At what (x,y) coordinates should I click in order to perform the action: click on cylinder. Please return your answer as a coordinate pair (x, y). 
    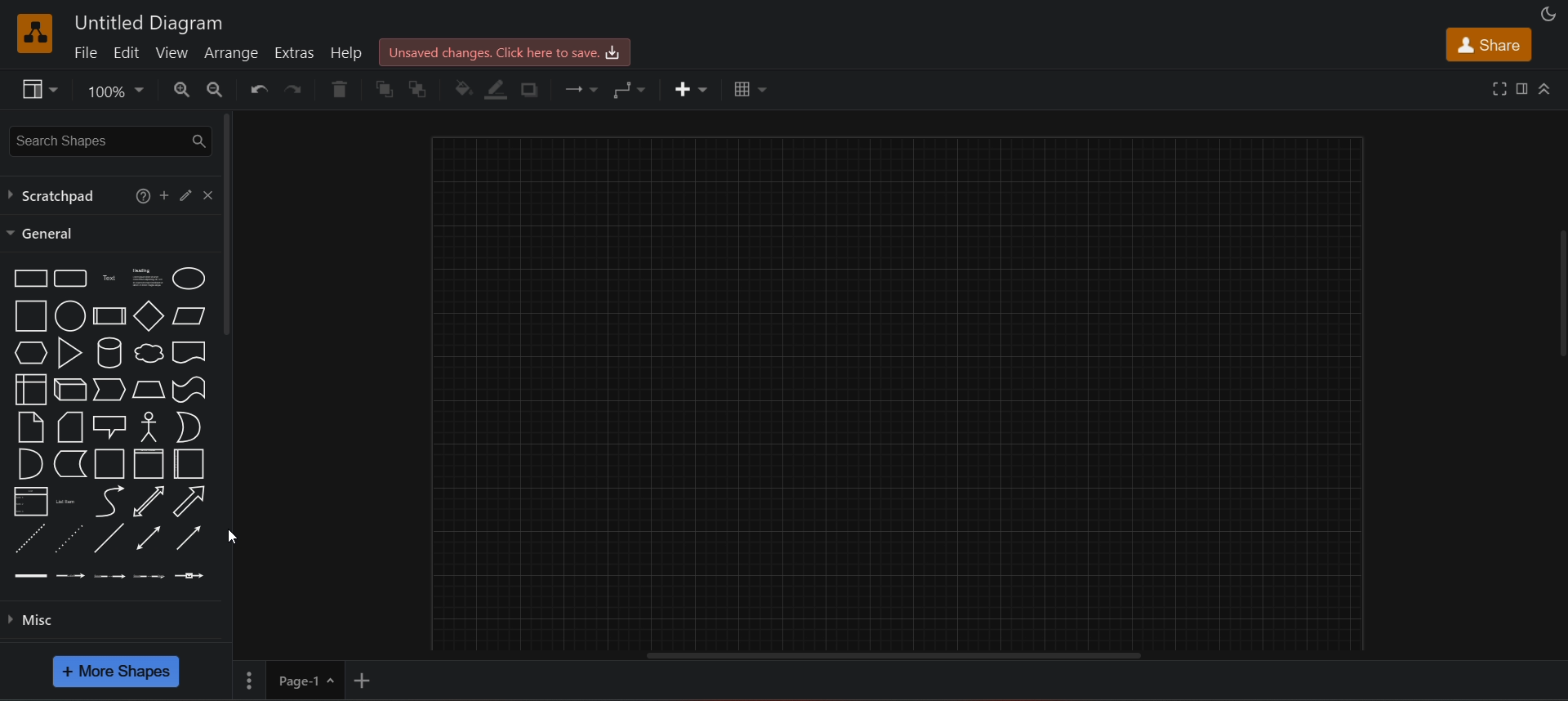
    Looking at the image, I should click on (109, 351).